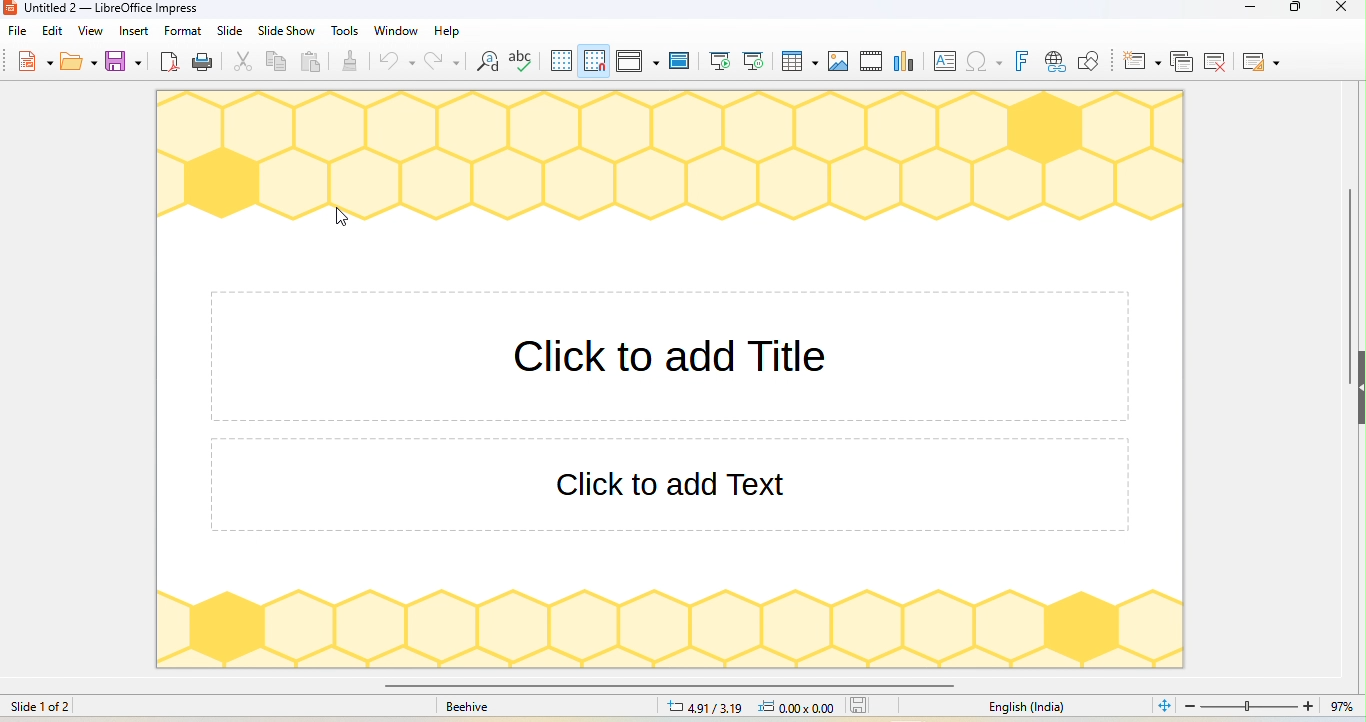  I want to click on English (India), so click(1030, 708).